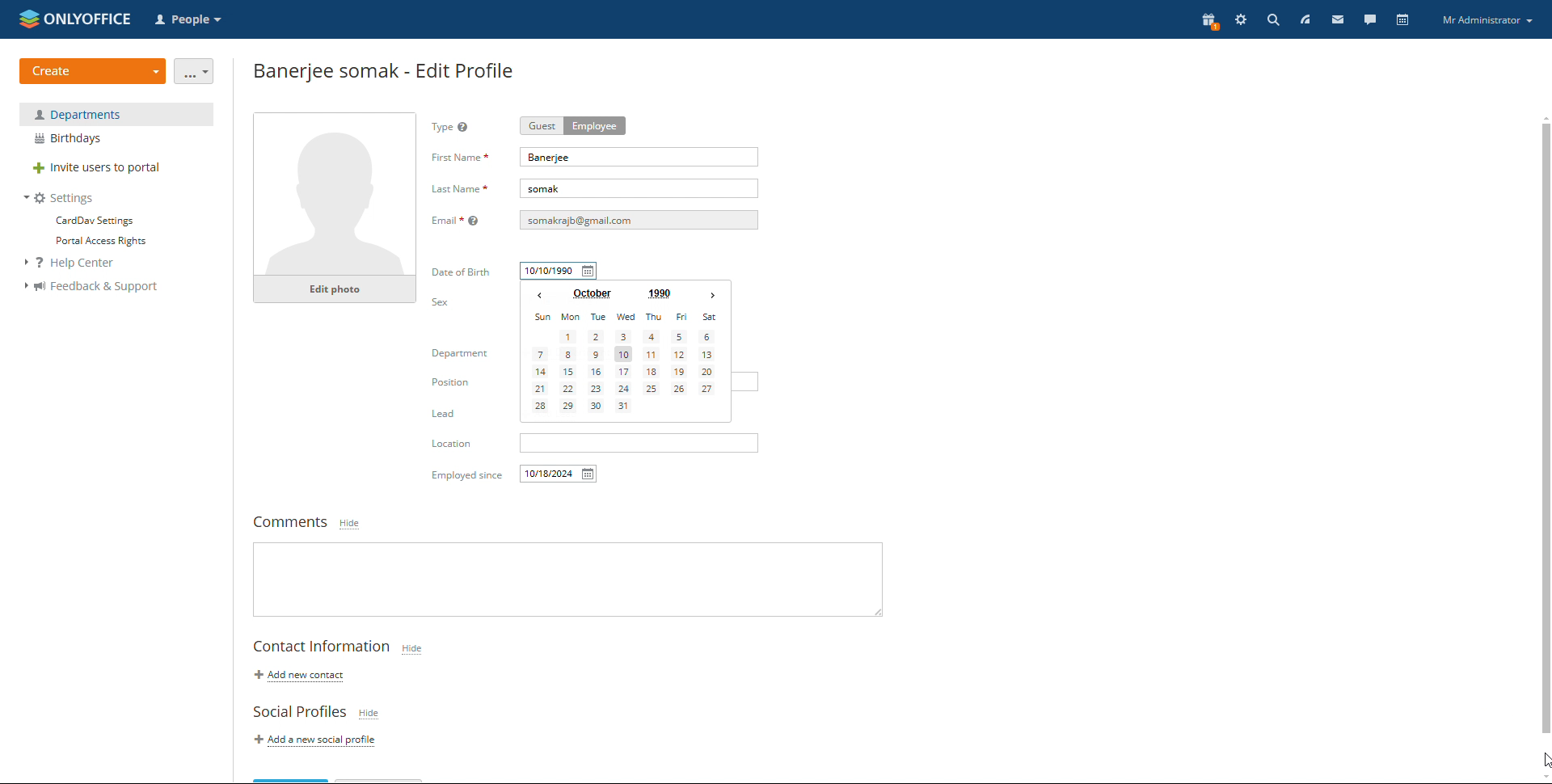 This screenshot has width=1552, height=784. What do you see at coordinates (335, 289) in the screenshot?
I see `edit photo` at bounding box center [335, 289].